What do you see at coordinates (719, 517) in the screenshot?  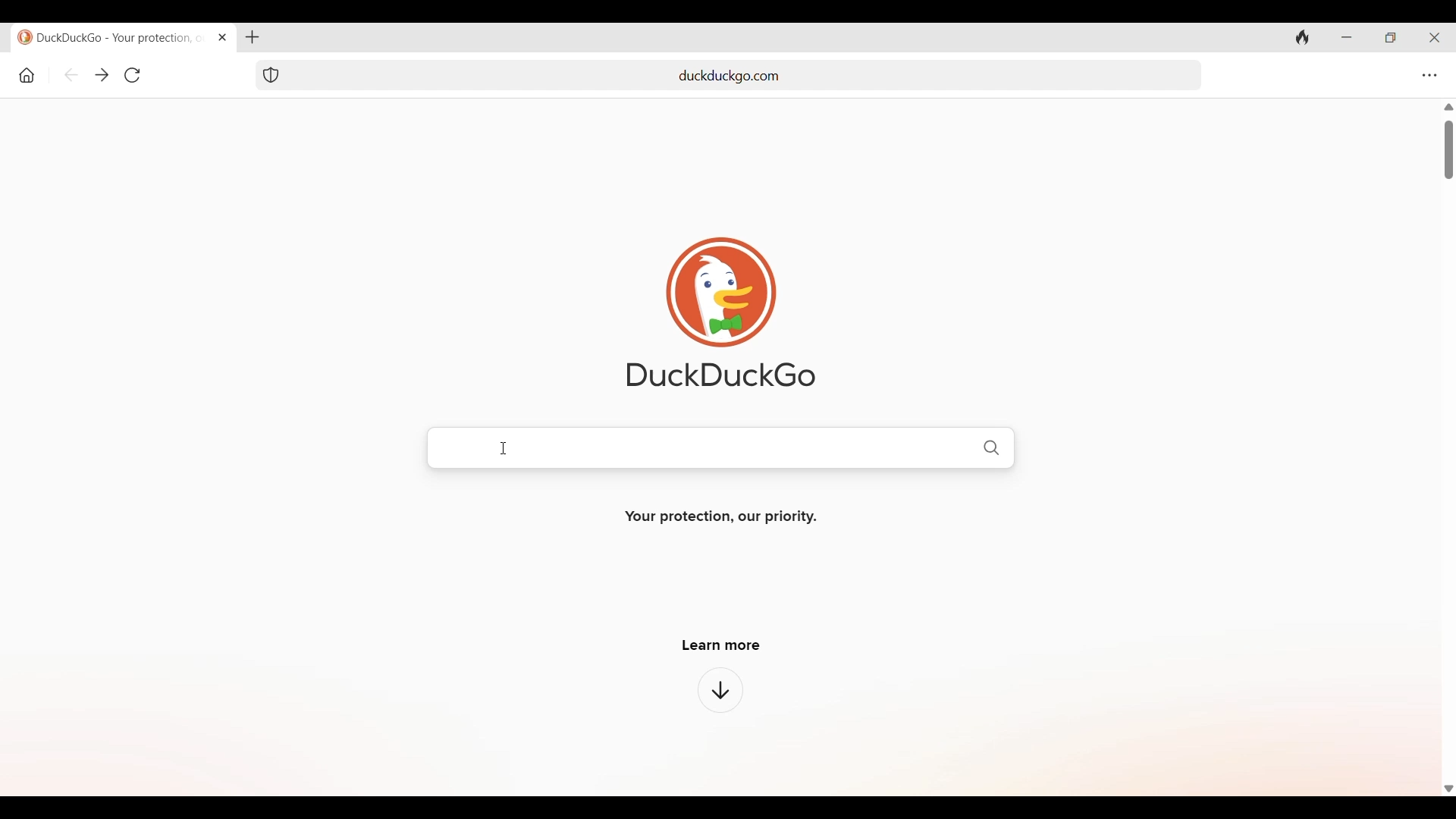 I see `Your protection, our priority.` at bounding box center [719, 517].